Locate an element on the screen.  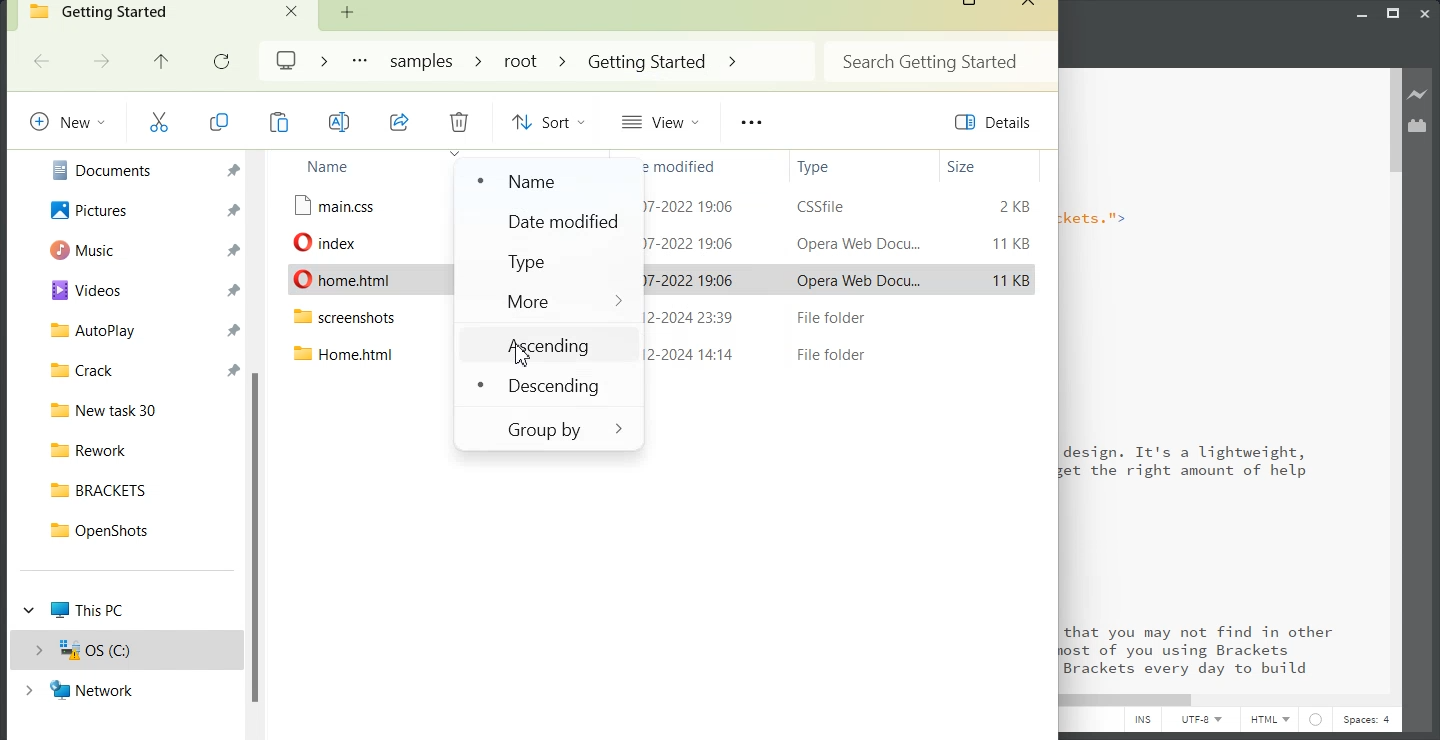
Videos is located at coordinates (138, 291).